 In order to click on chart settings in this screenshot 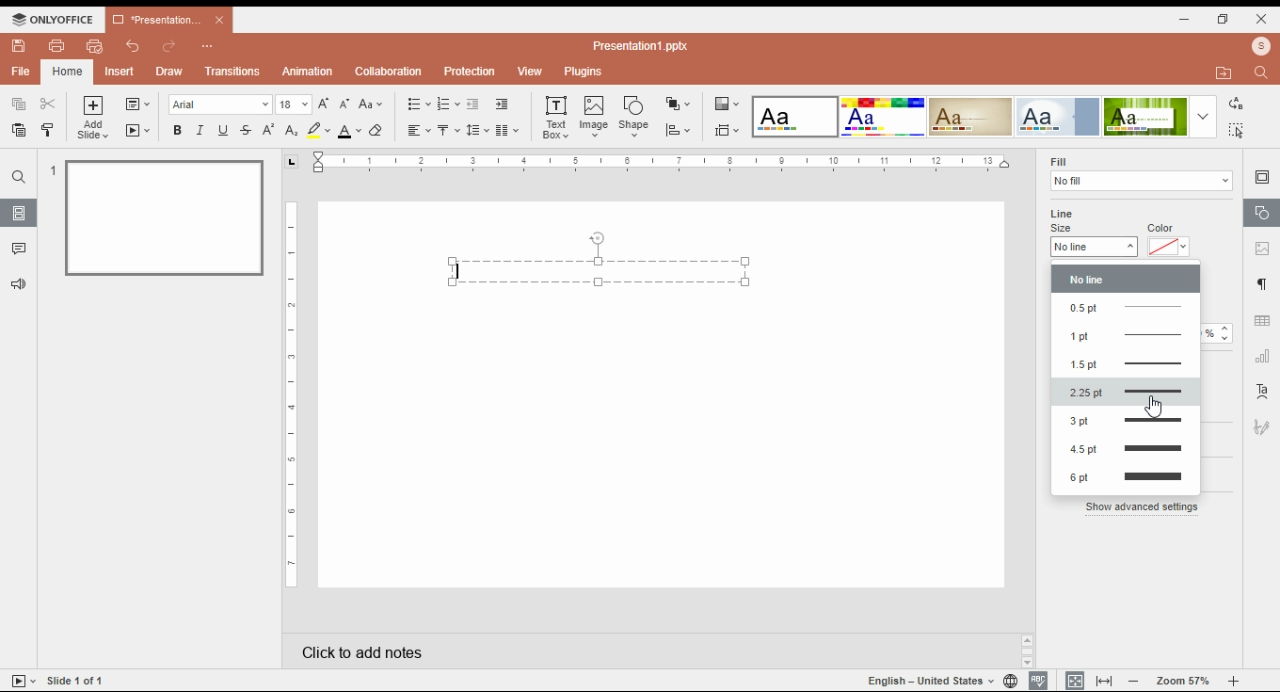, I will do `click(1263, 359)`.